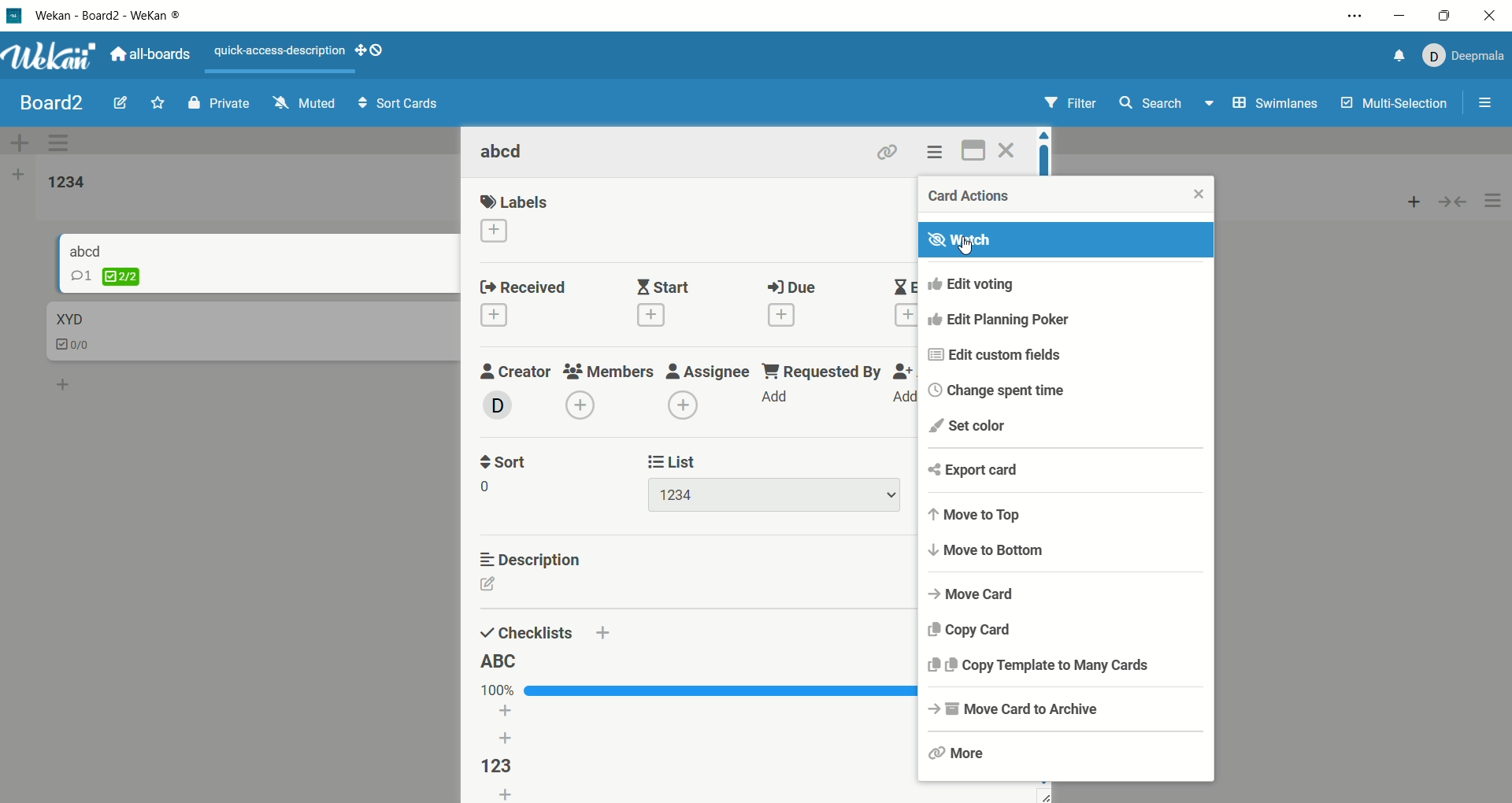  What do you see at coordinates (1401, 18) in the screenshot?
I see `minimize` at bounding box center [1401, 18].